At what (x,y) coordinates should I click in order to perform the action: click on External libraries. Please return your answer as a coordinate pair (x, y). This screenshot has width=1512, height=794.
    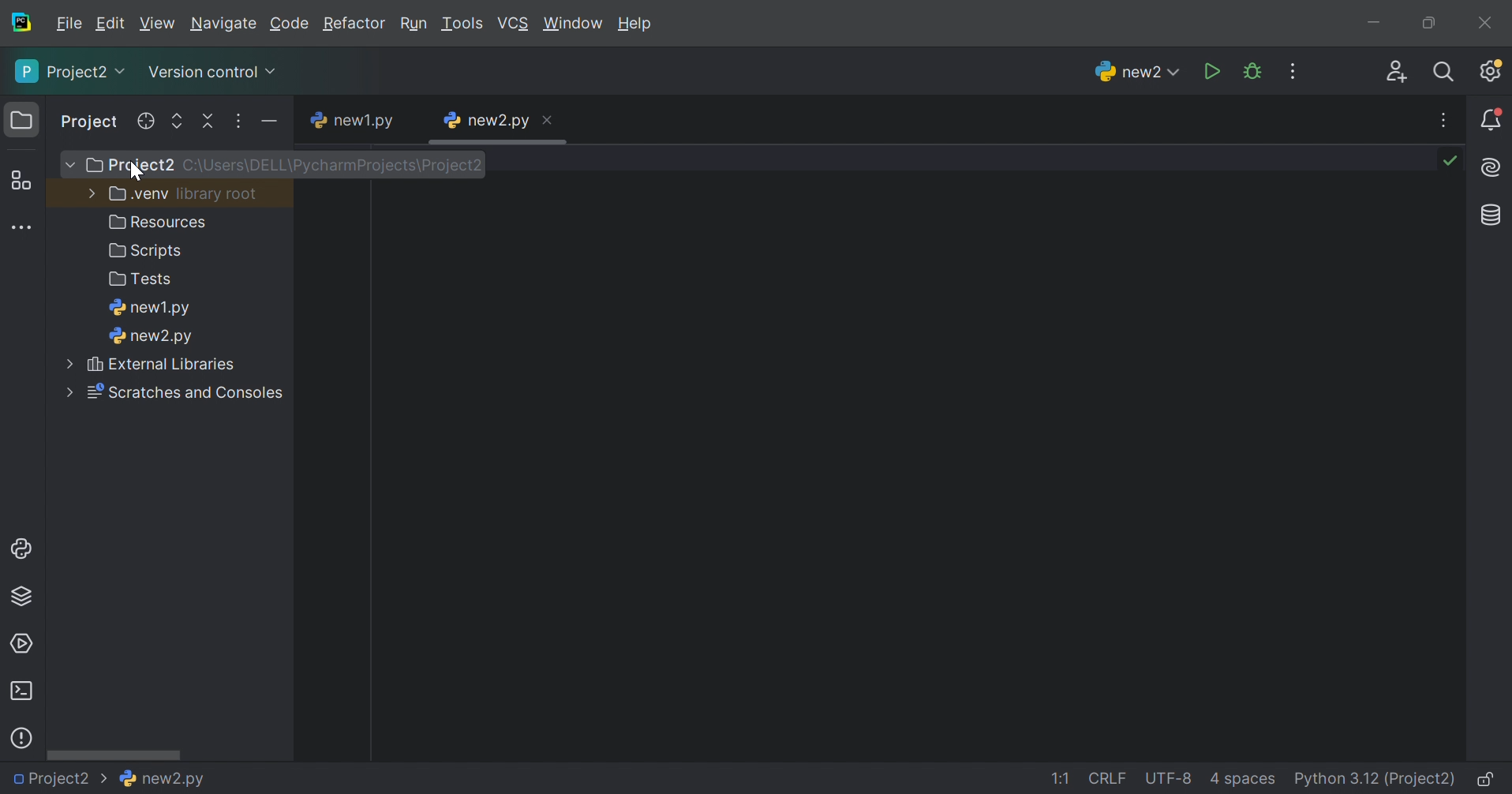
    Looking at the image, I should click on (167, 363).